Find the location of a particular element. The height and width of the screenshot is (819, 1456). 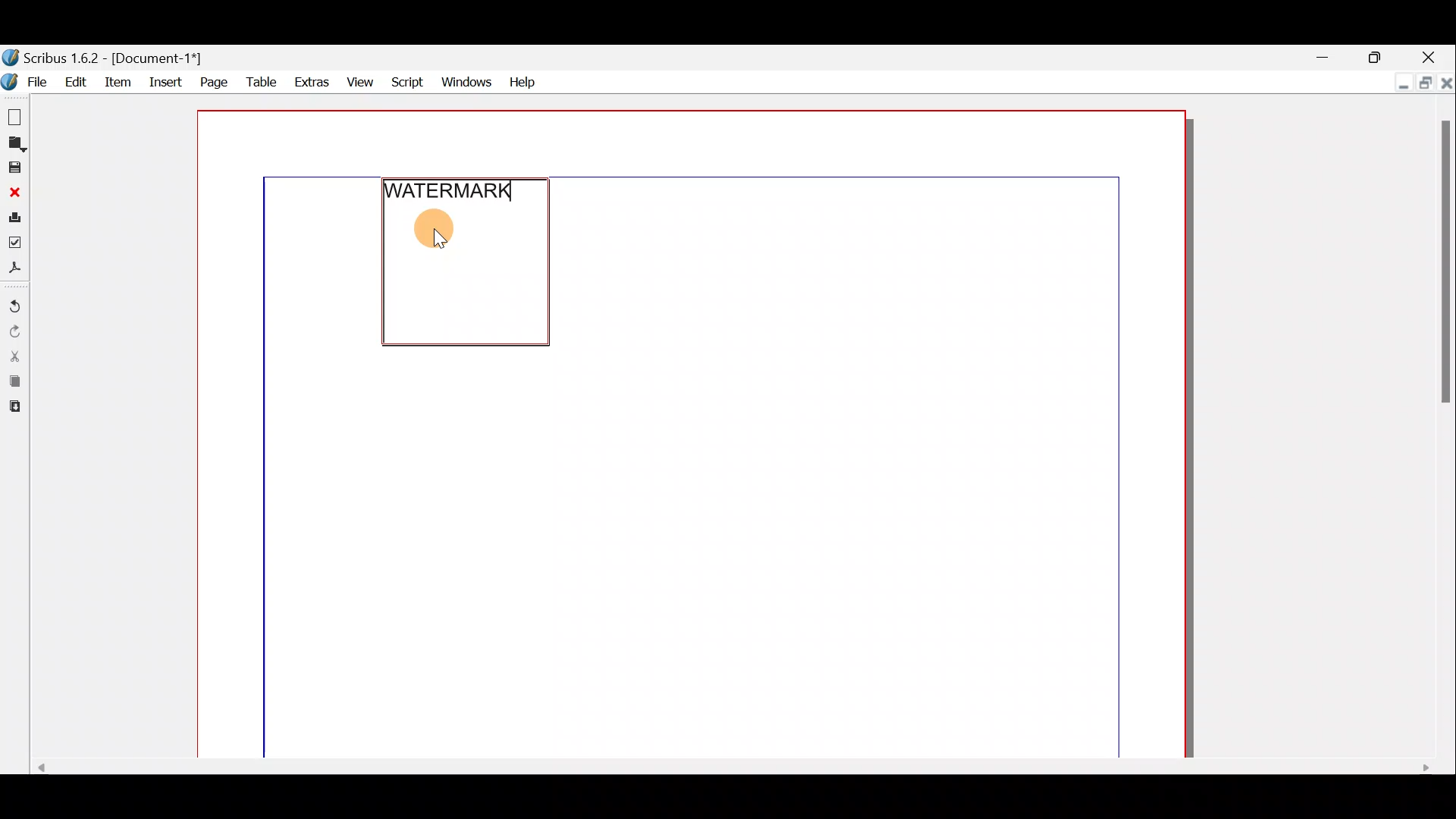

Minimise is located at coordinates (1399, 83).